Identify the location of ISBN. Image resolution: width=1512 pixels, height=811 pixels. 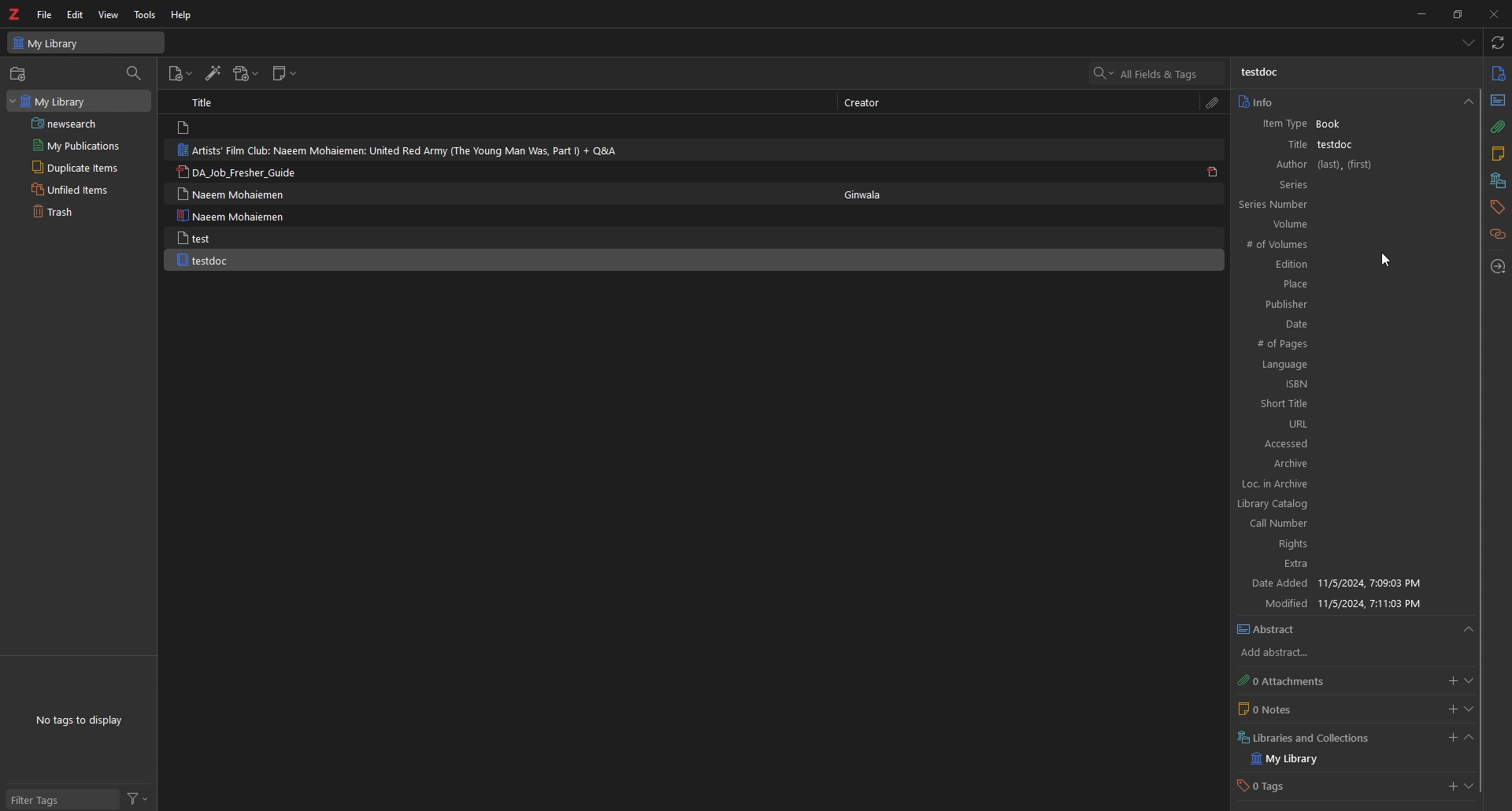
(1351, 384).